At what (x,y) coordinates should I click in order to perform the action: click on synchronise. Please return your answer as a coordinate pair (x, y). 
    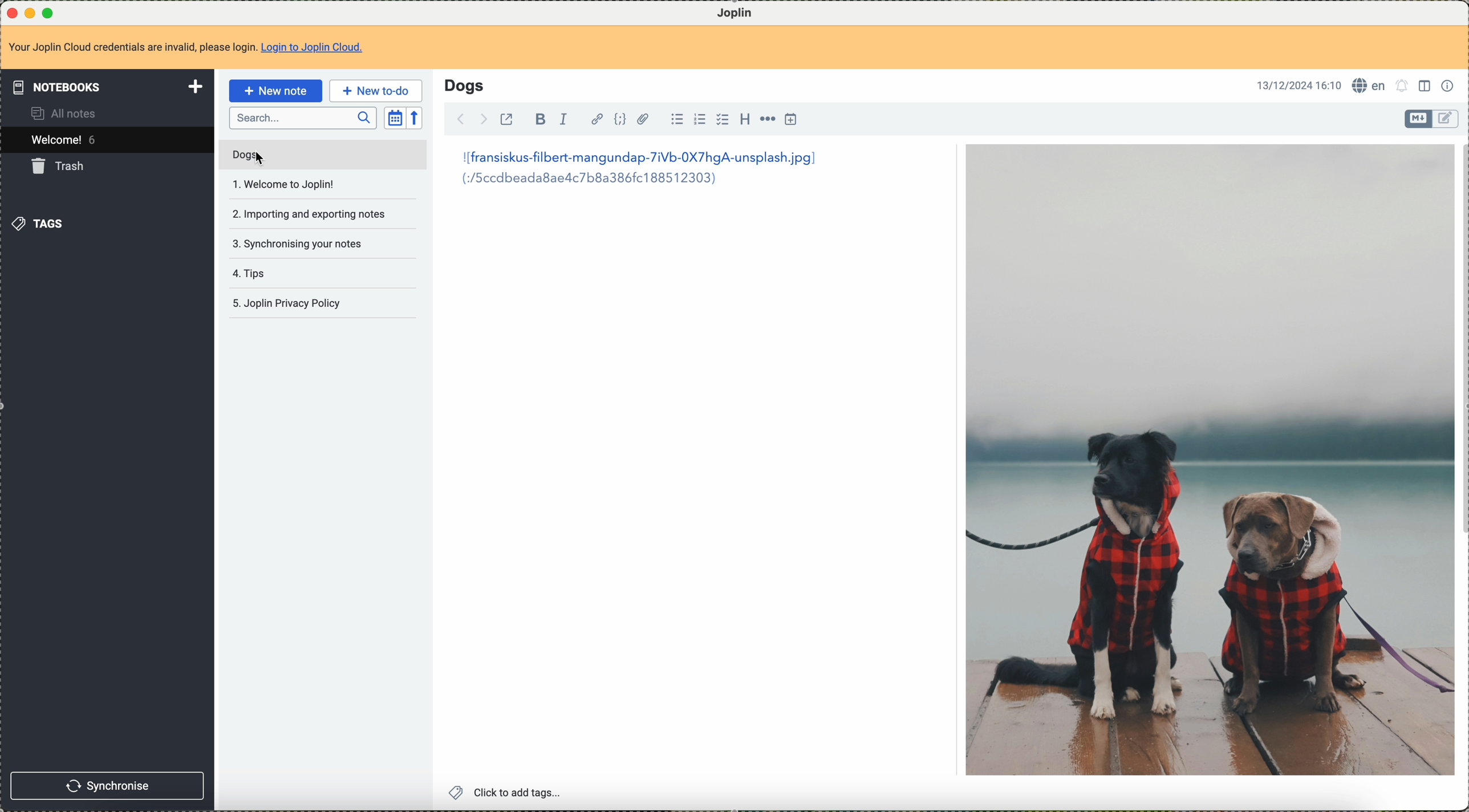
    Looking at the image, I should click on (107, 787).